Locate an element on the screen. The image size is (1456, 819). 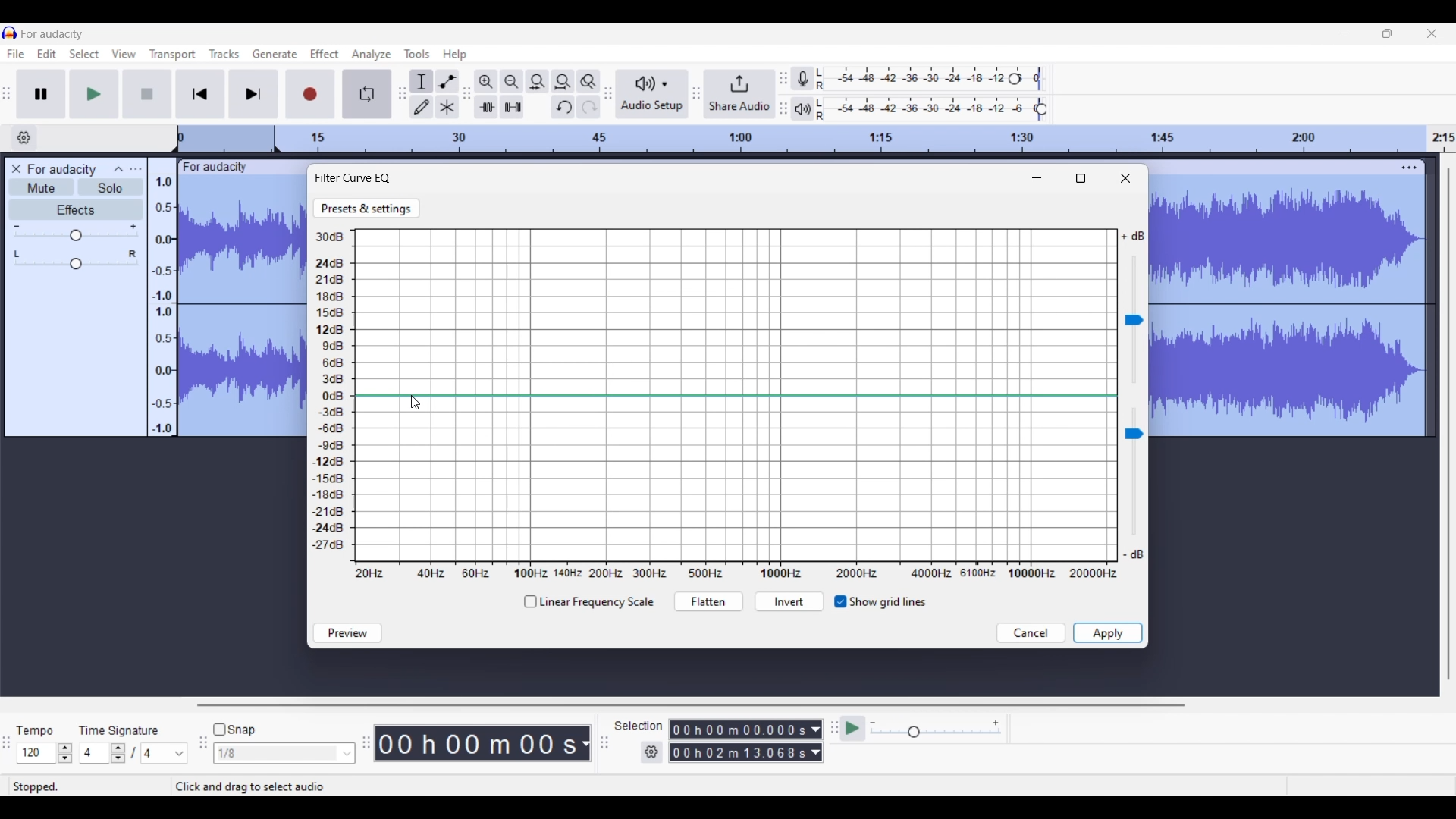
Scale to measure audio is located at coordinates (161, 297).